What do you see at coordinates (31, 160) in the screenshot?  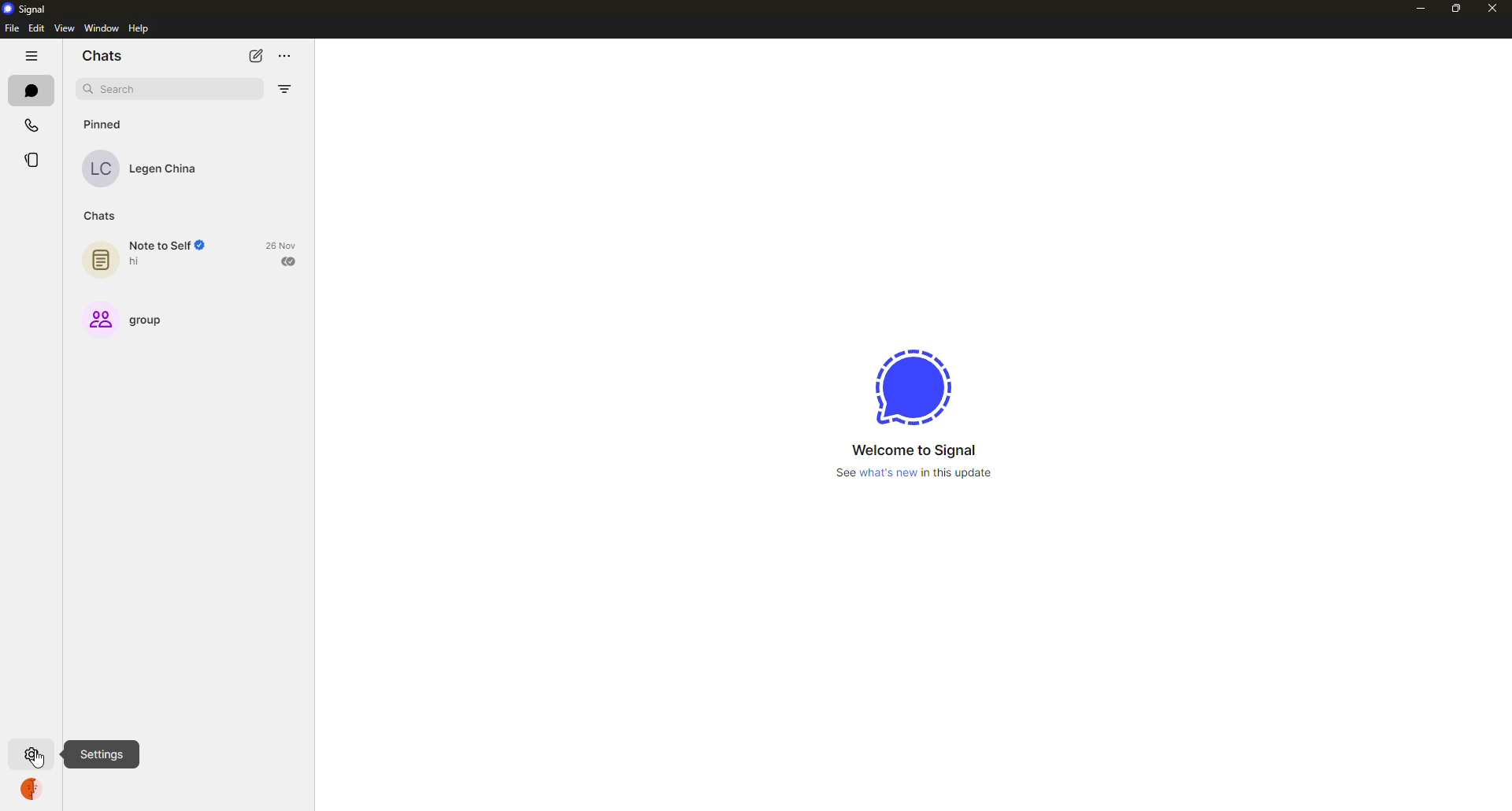 I see `stories` at bounding box center [31, 160].